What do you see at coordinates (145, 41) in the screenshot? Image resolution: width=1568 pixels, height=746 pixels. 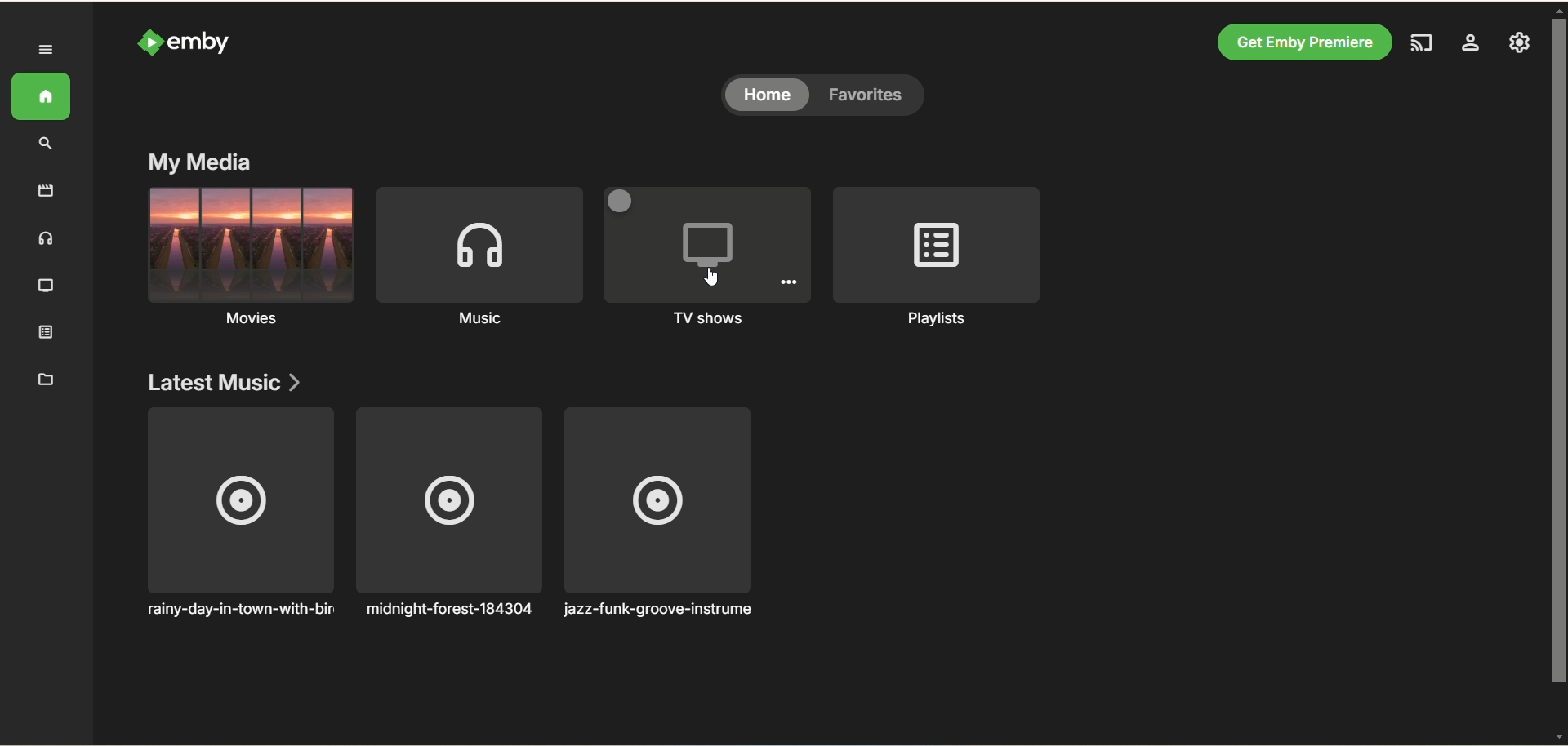 I see `logo` at bounding box center [145, 41].